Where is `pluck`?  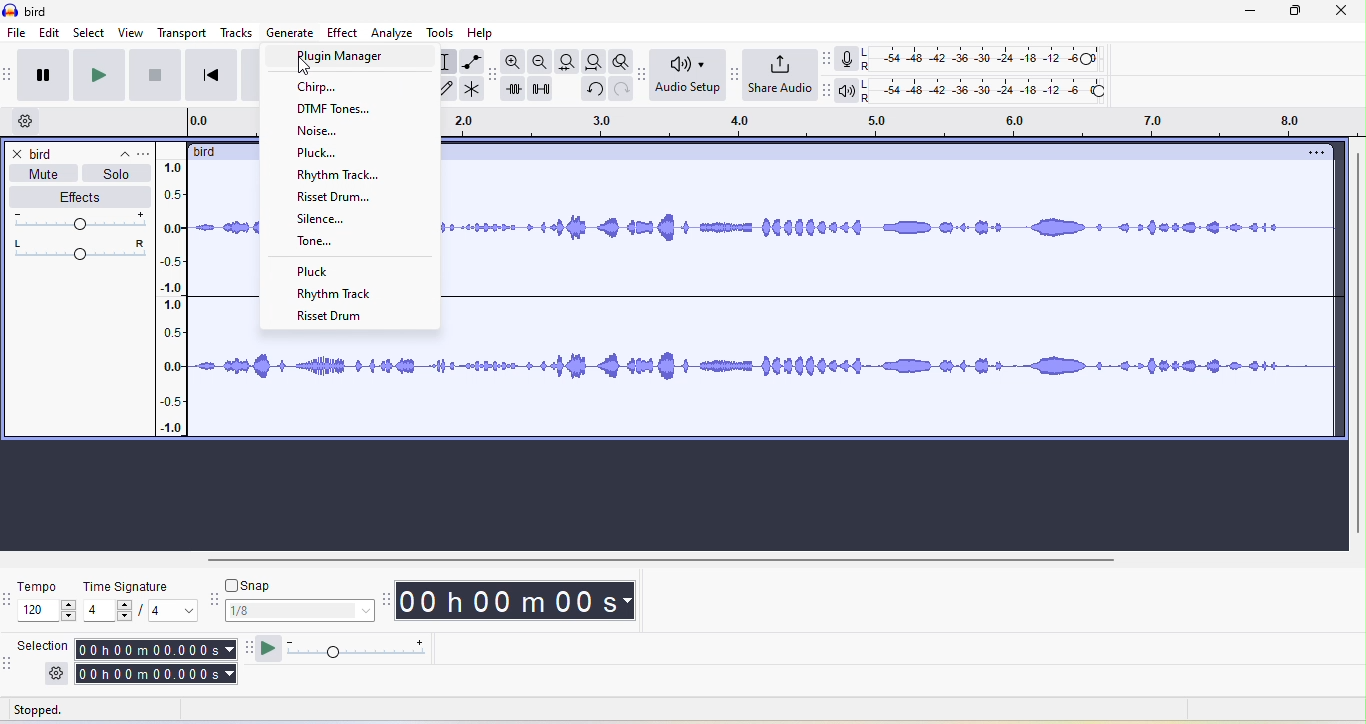 pluck is located at coordinates (316, 272).